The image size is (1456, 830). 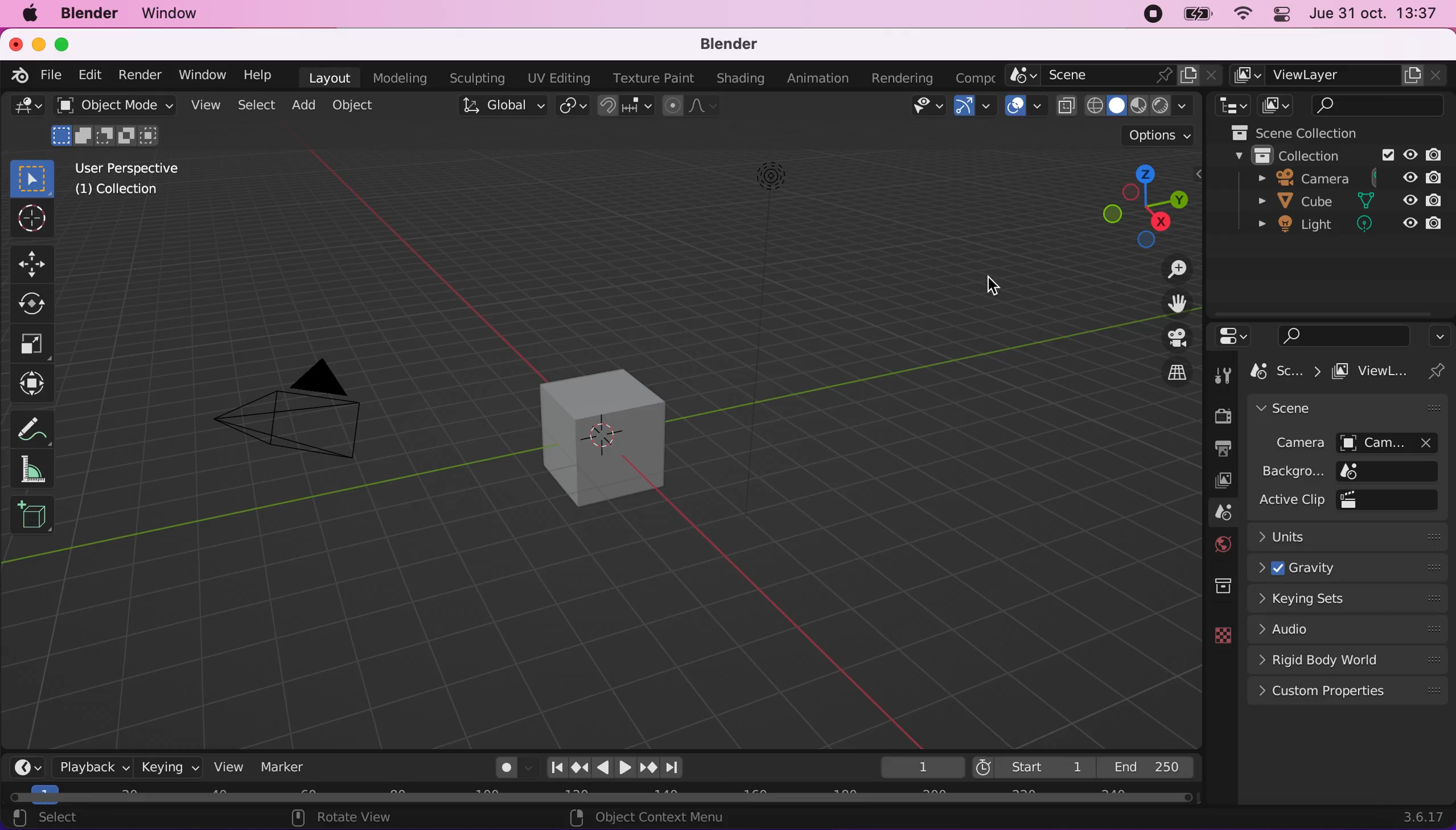 I want to click on zoom in/out, so click(x=1169, y=269).